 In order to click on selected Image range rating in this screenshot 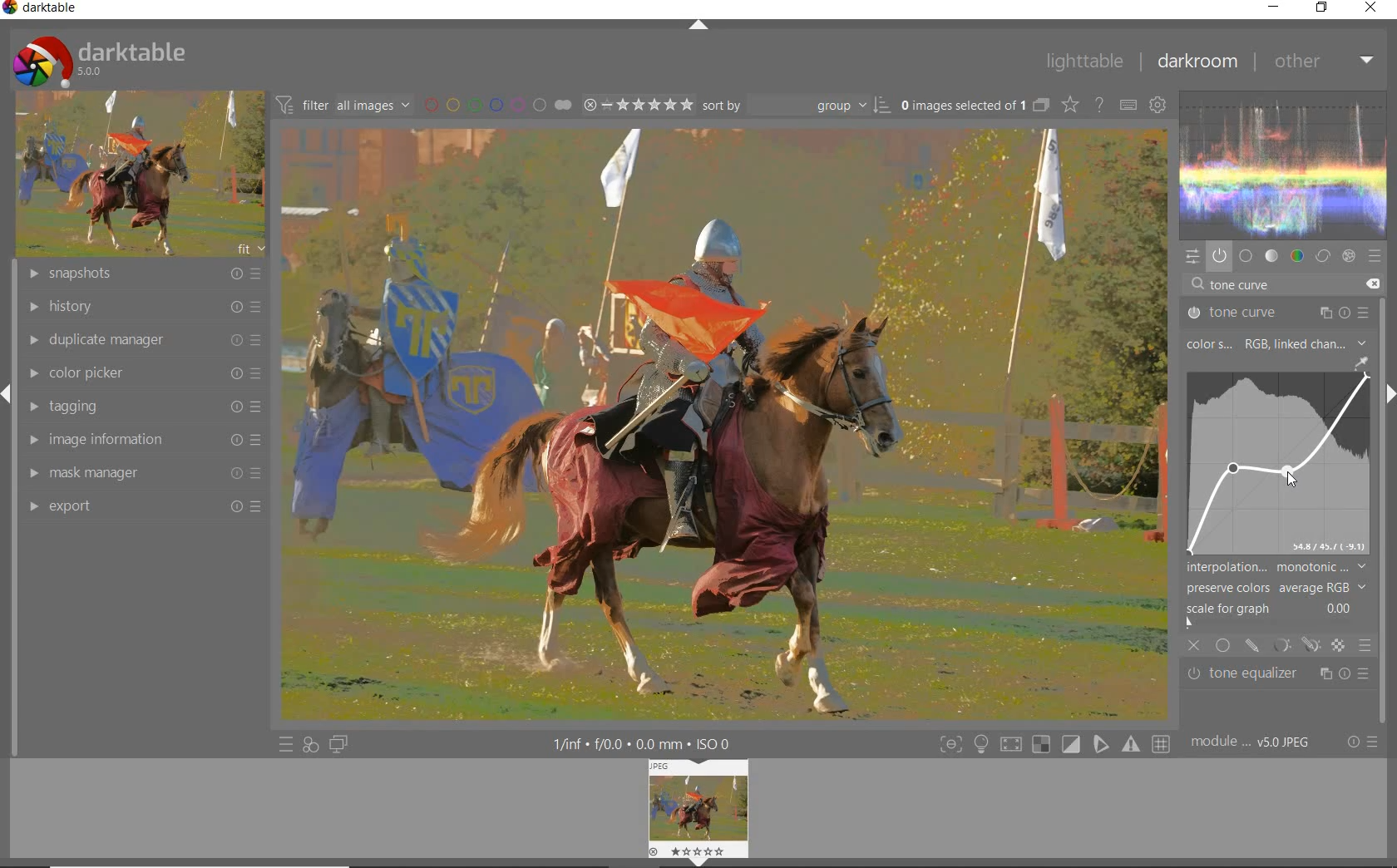, I will do `click(636, 105)`.